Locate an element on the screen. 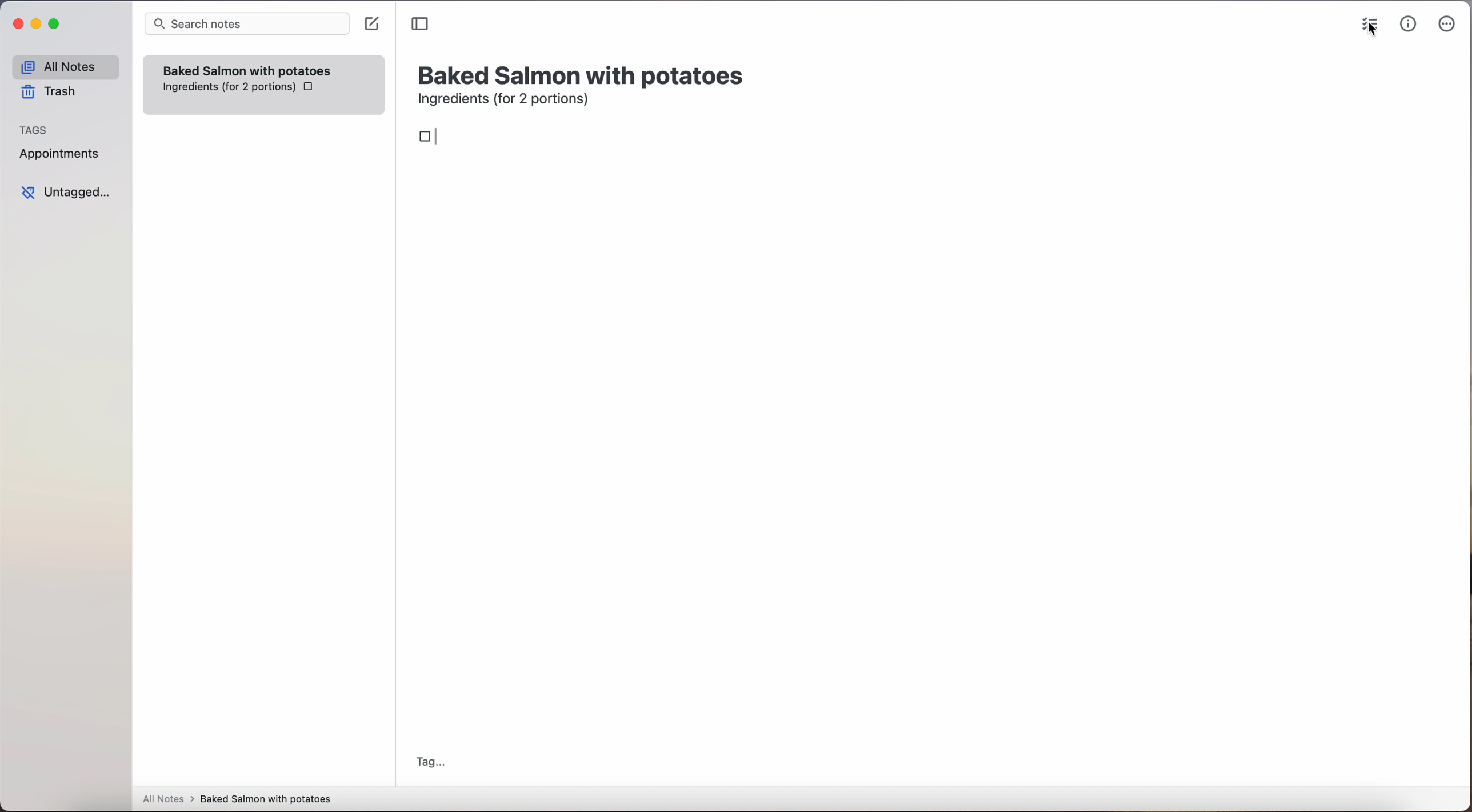  metrics is located at coordinates (1409, 23).